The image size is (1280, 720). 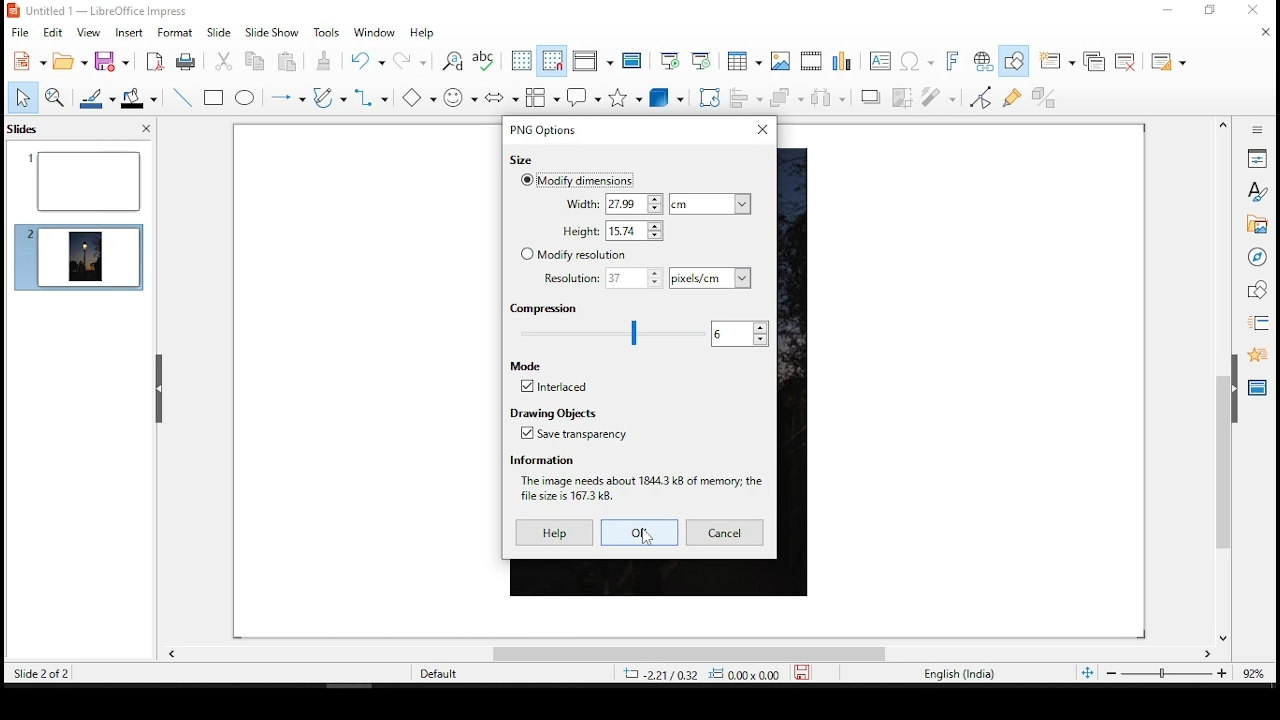 What do you see at coordinates (1011, 61) in the screenshot?
I see `show draw functions` at bounding box center [1011, 61].